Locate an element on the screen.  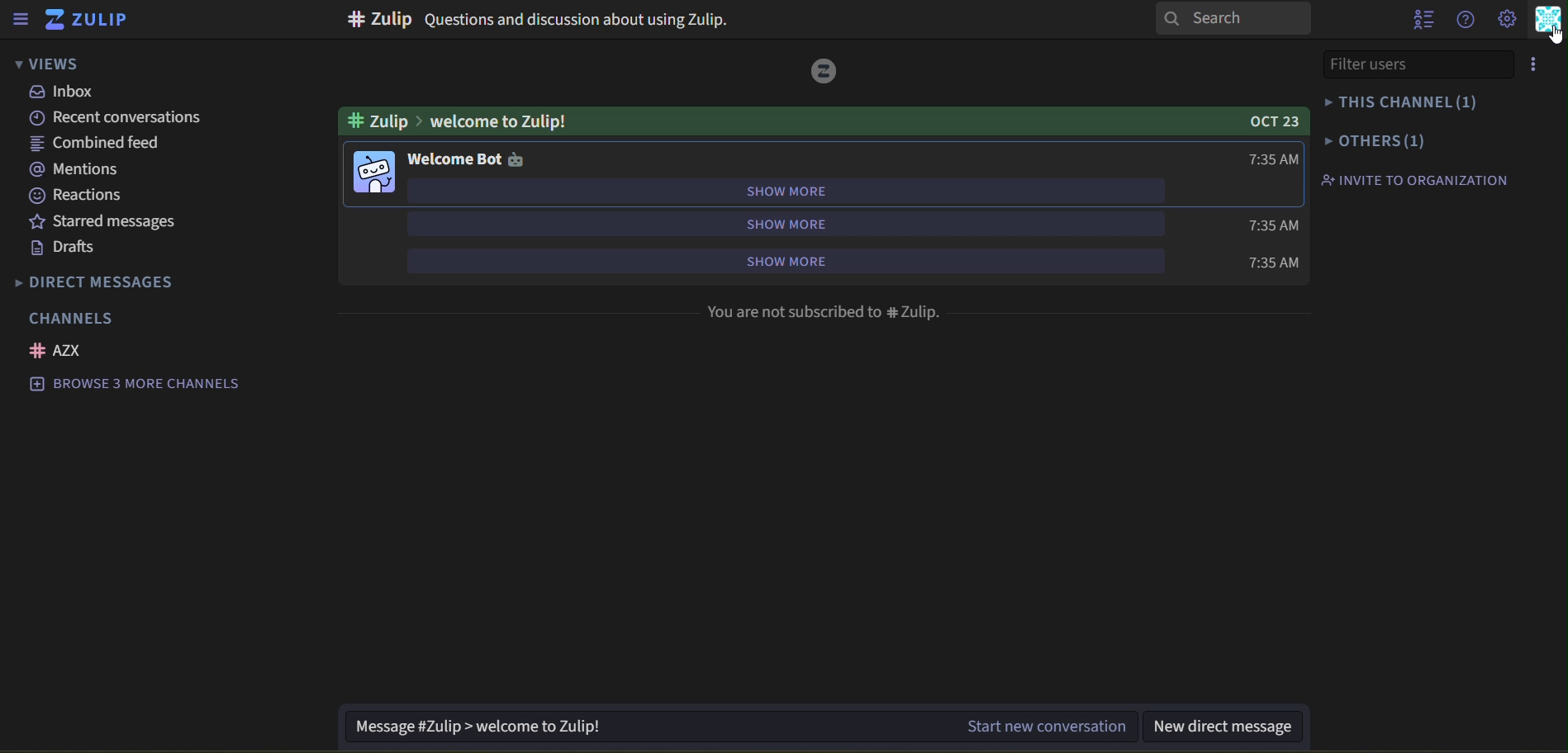
time is located at coordinates (1274, 159).